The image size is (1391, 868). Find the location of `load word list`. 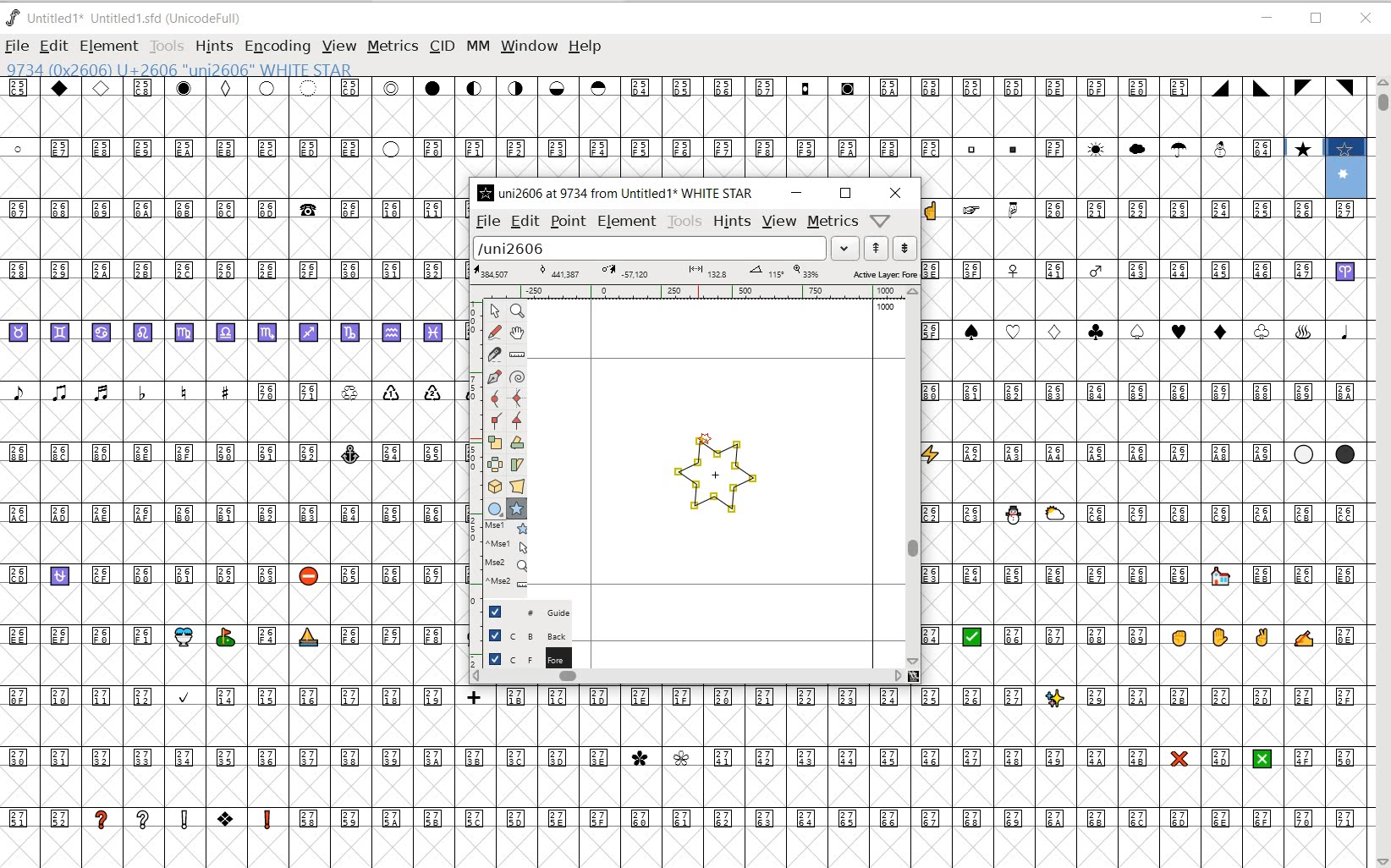

load word list is located at coordinates (663, 247).